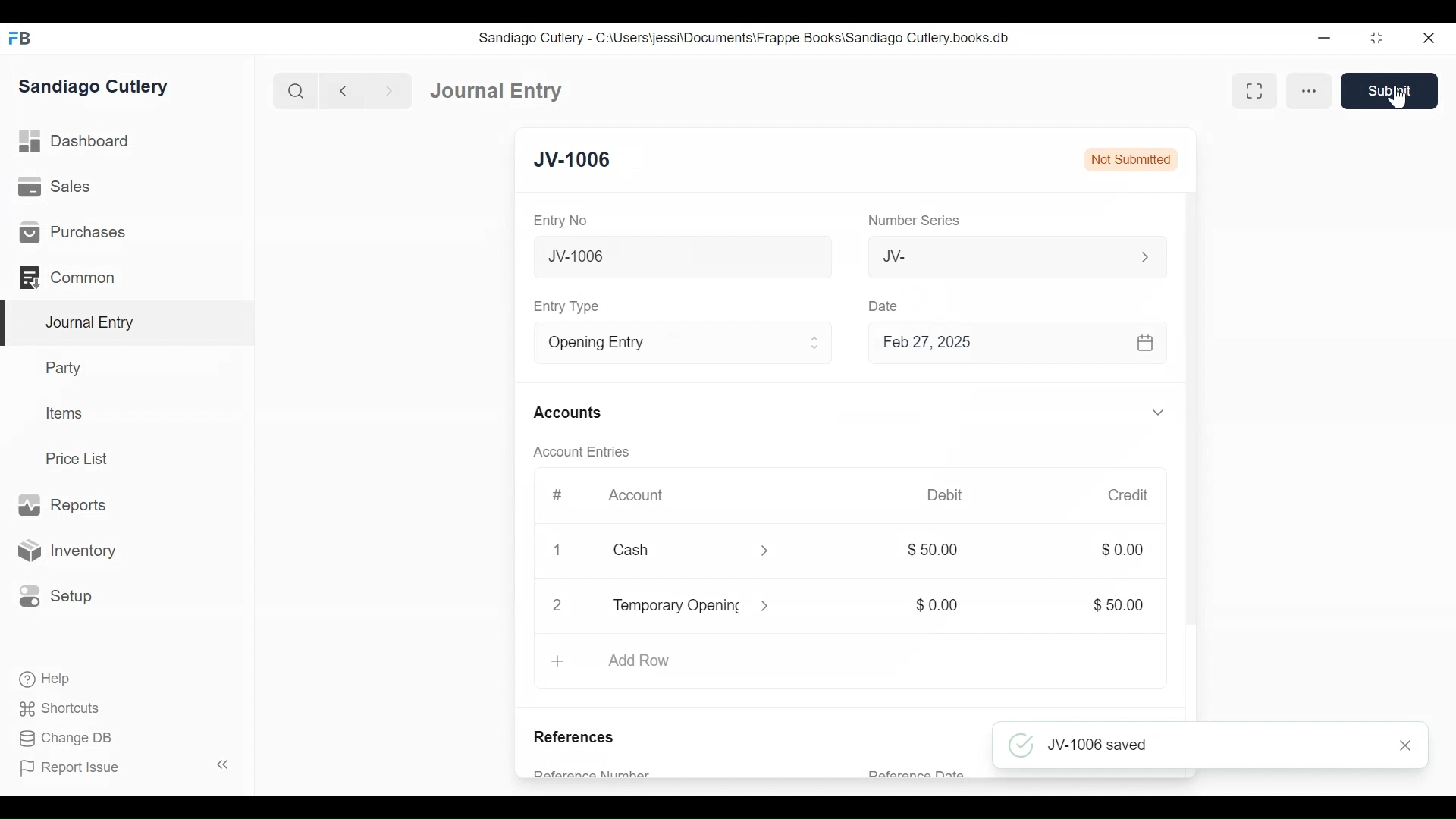 This screenshot has width=1456, height=819. I want to click on Temporary Opening, so click(676, 608).